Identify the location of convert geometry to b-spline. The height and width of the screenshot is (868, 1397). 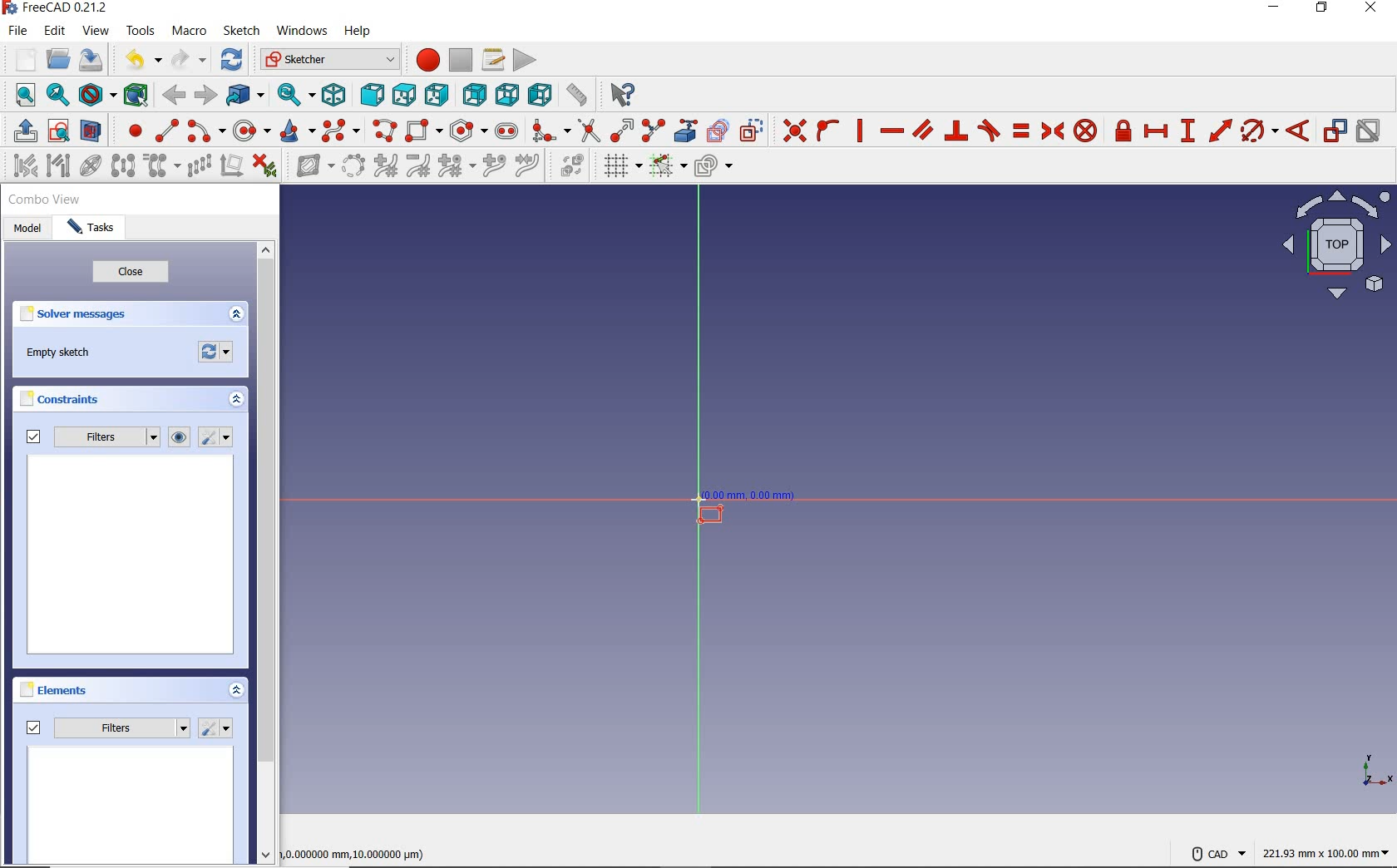
(353, 165).